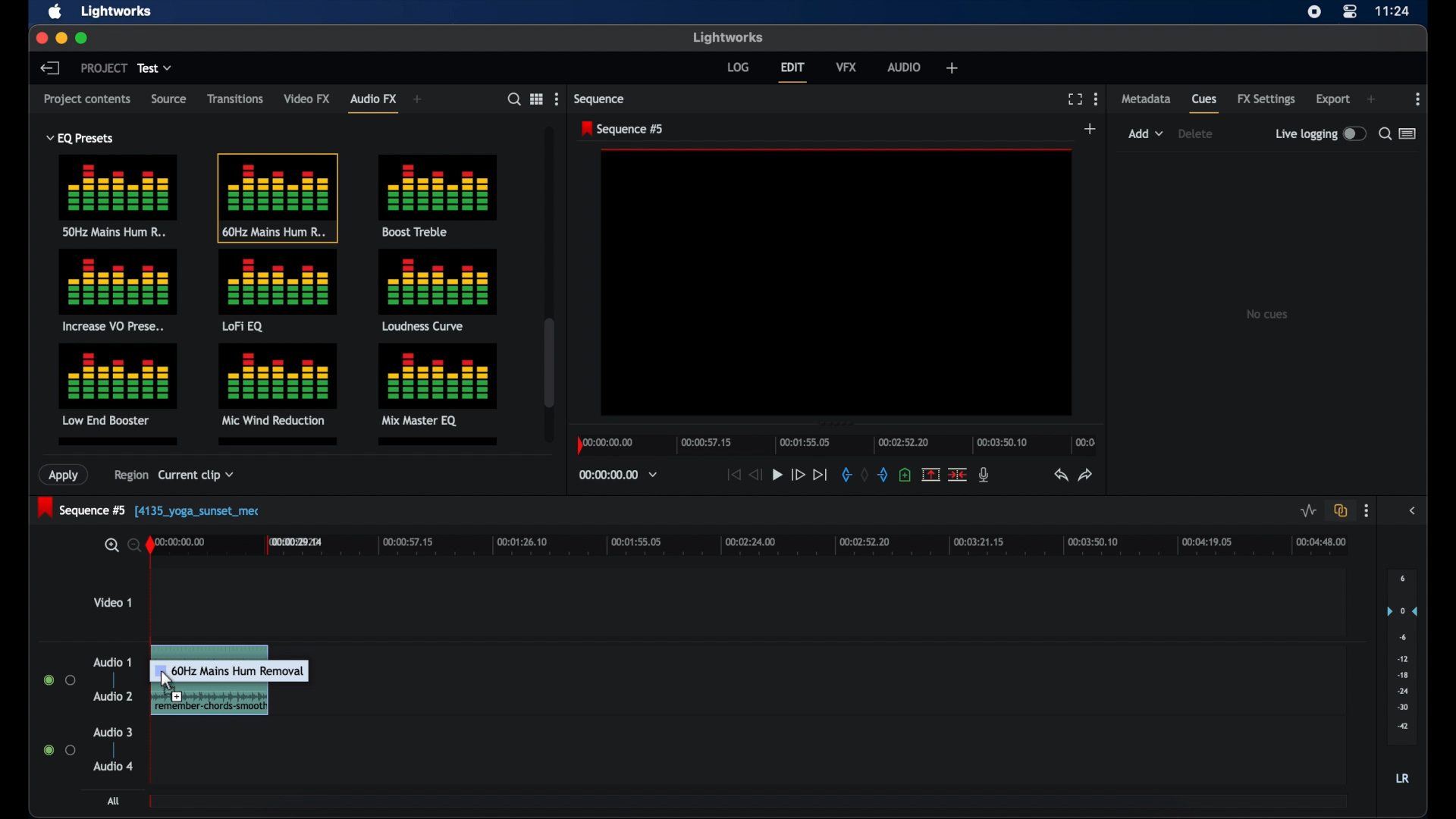 The height and width of the screenshot is (819, 1456). Describe the element at coordinates (118, 11) in the screenshot. I see `lightworks` at that location.